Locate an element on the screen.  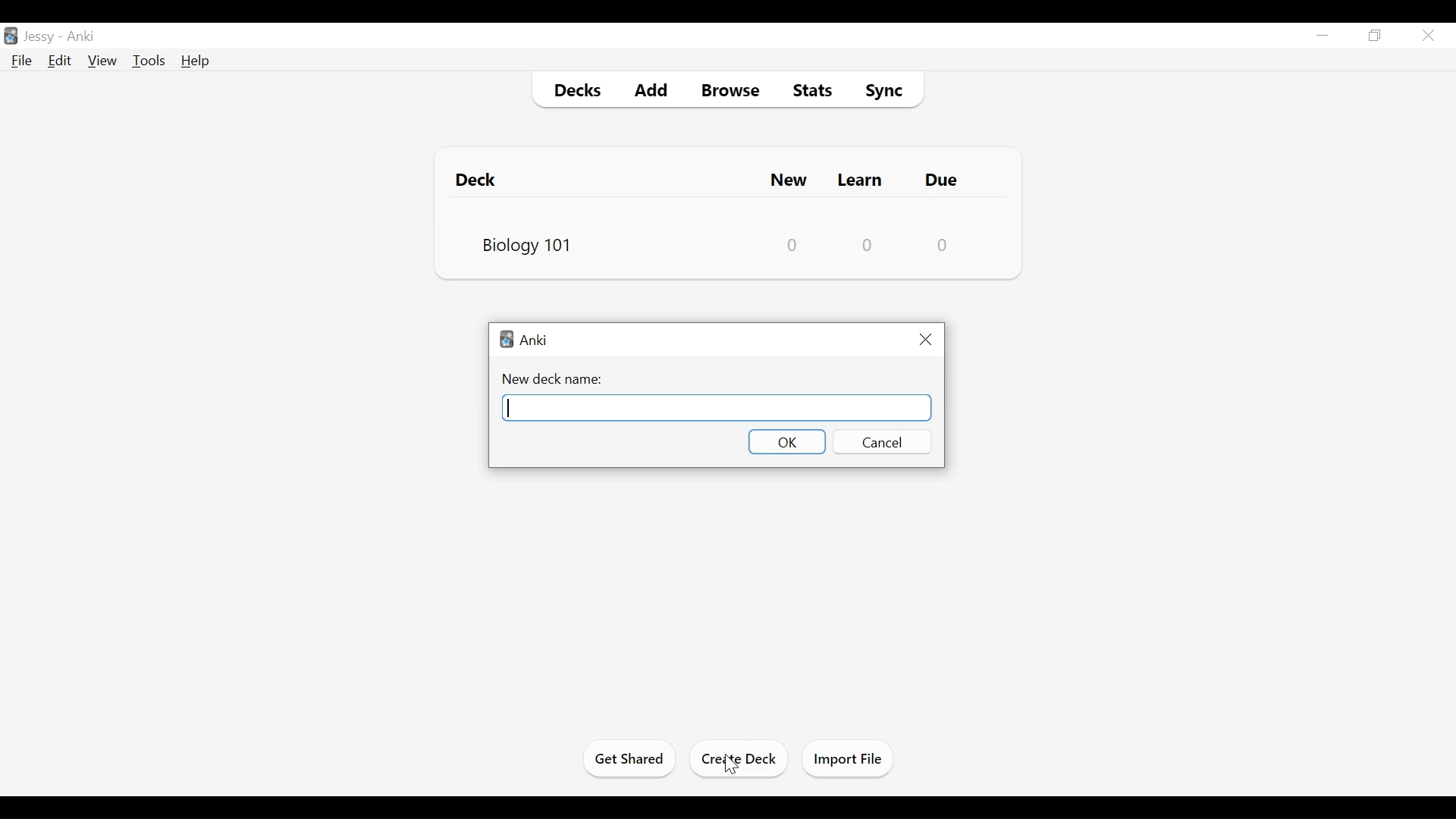
Learn Cards is located at coordinates (862, 179).